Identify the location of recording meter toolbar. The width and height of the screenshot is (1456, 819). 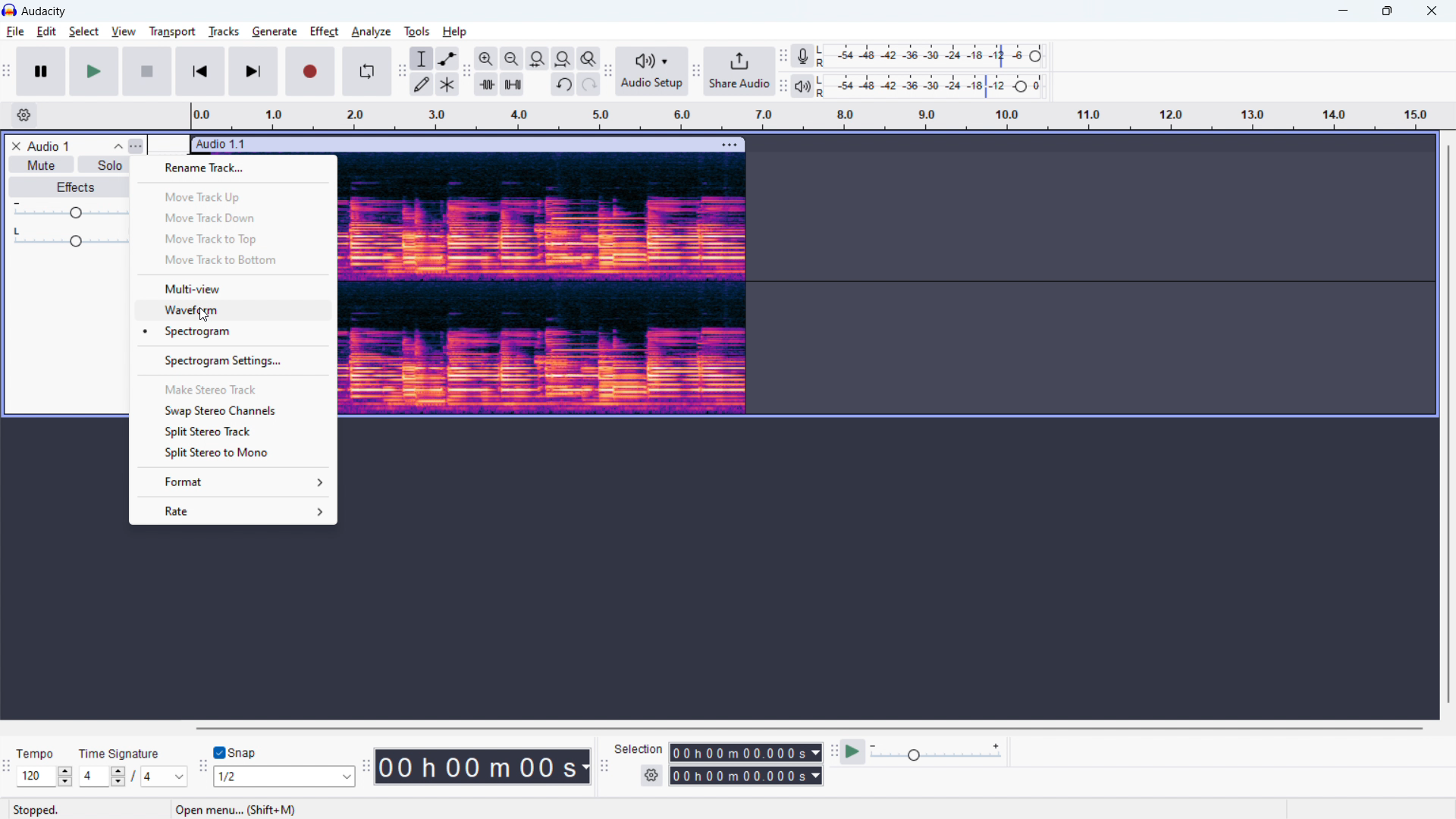
(782, 56).